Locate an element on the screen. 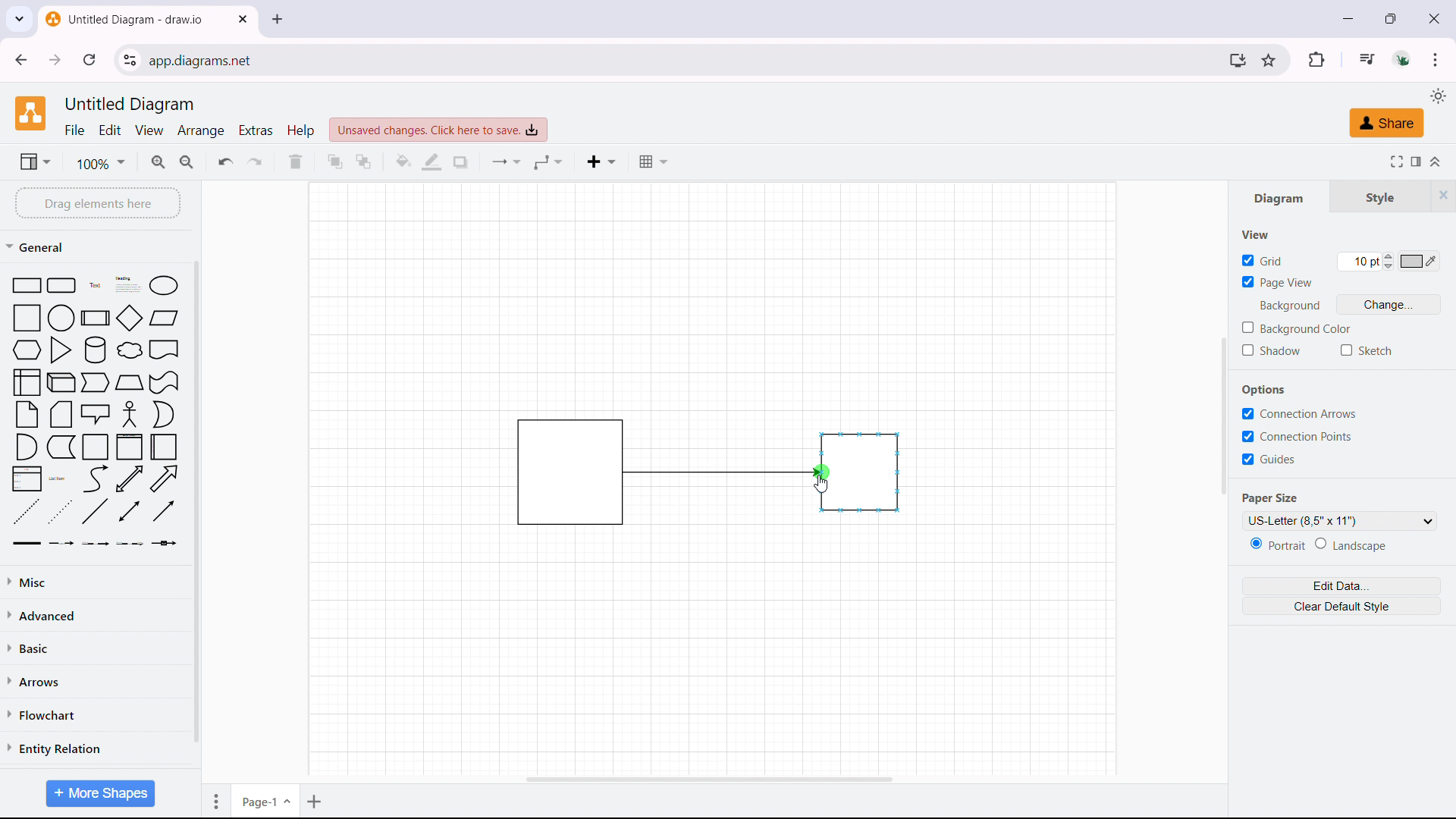 Image resolution: width=1456 pixels, height=819 pixels. diagram is located at coordinates (1282, 199).